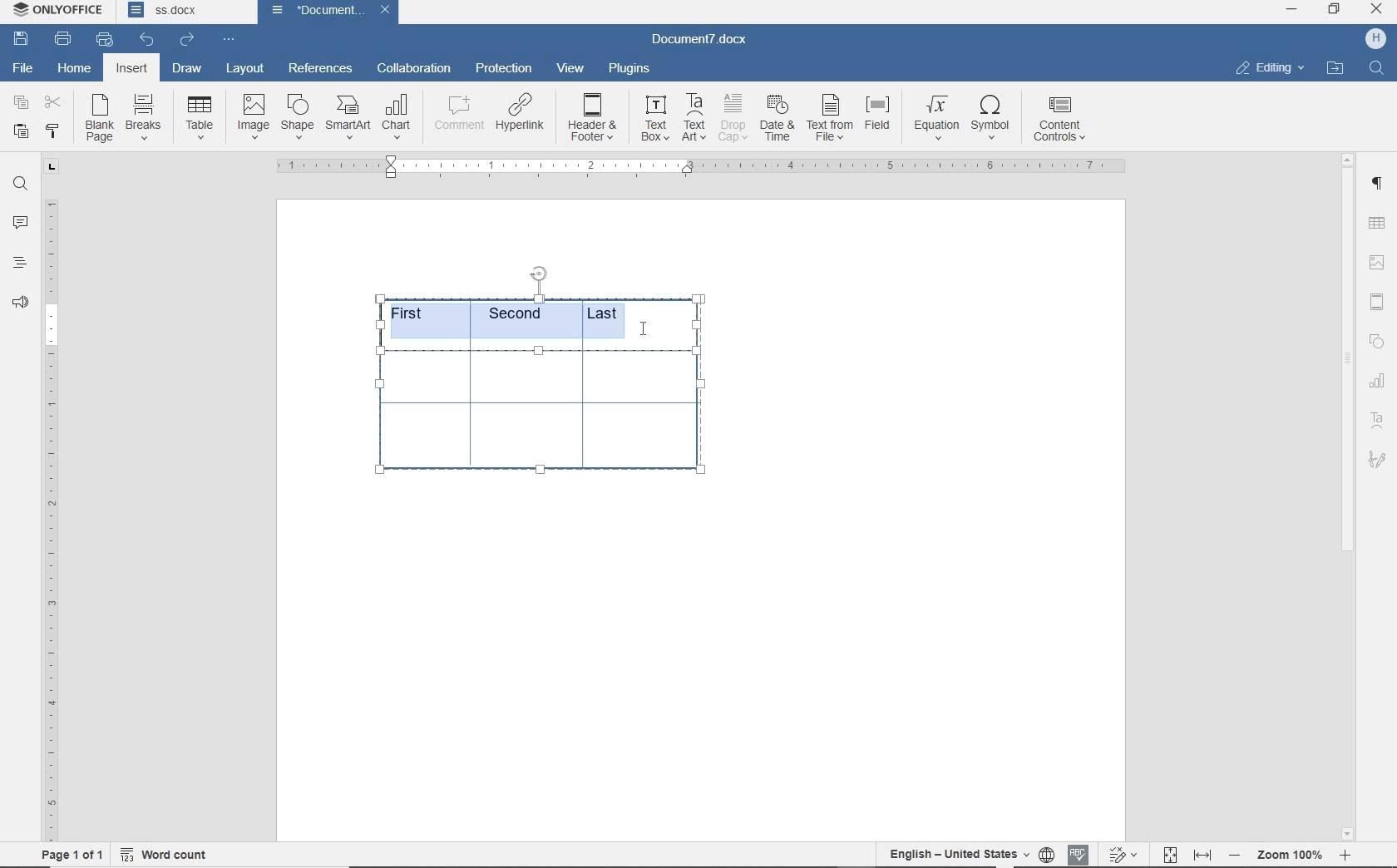 The image size is (1397, 868). I want to click on close, so click(385, 11).